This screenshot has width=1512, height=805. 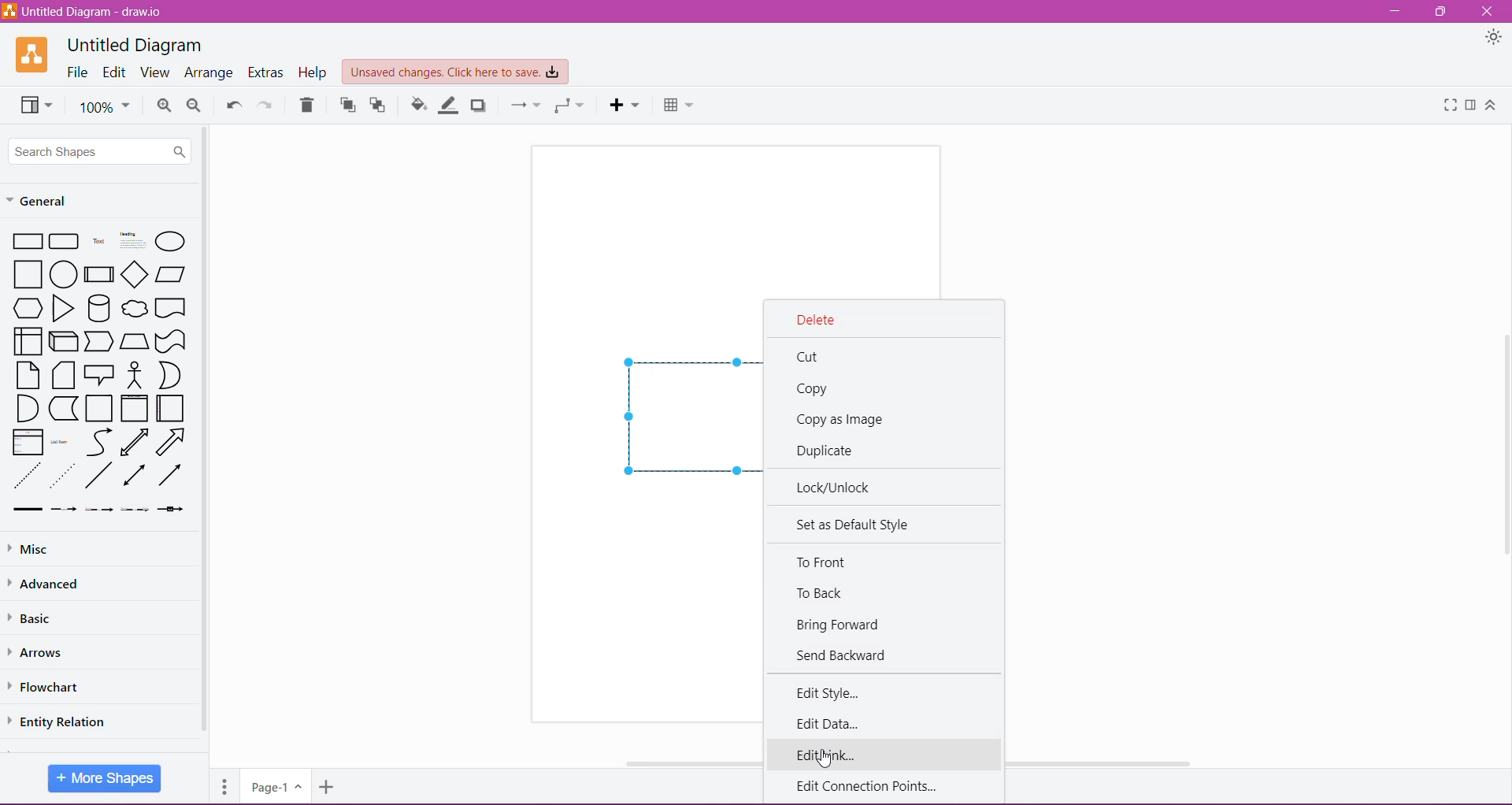 I want to click on Insert, so click(x=624, y=105).